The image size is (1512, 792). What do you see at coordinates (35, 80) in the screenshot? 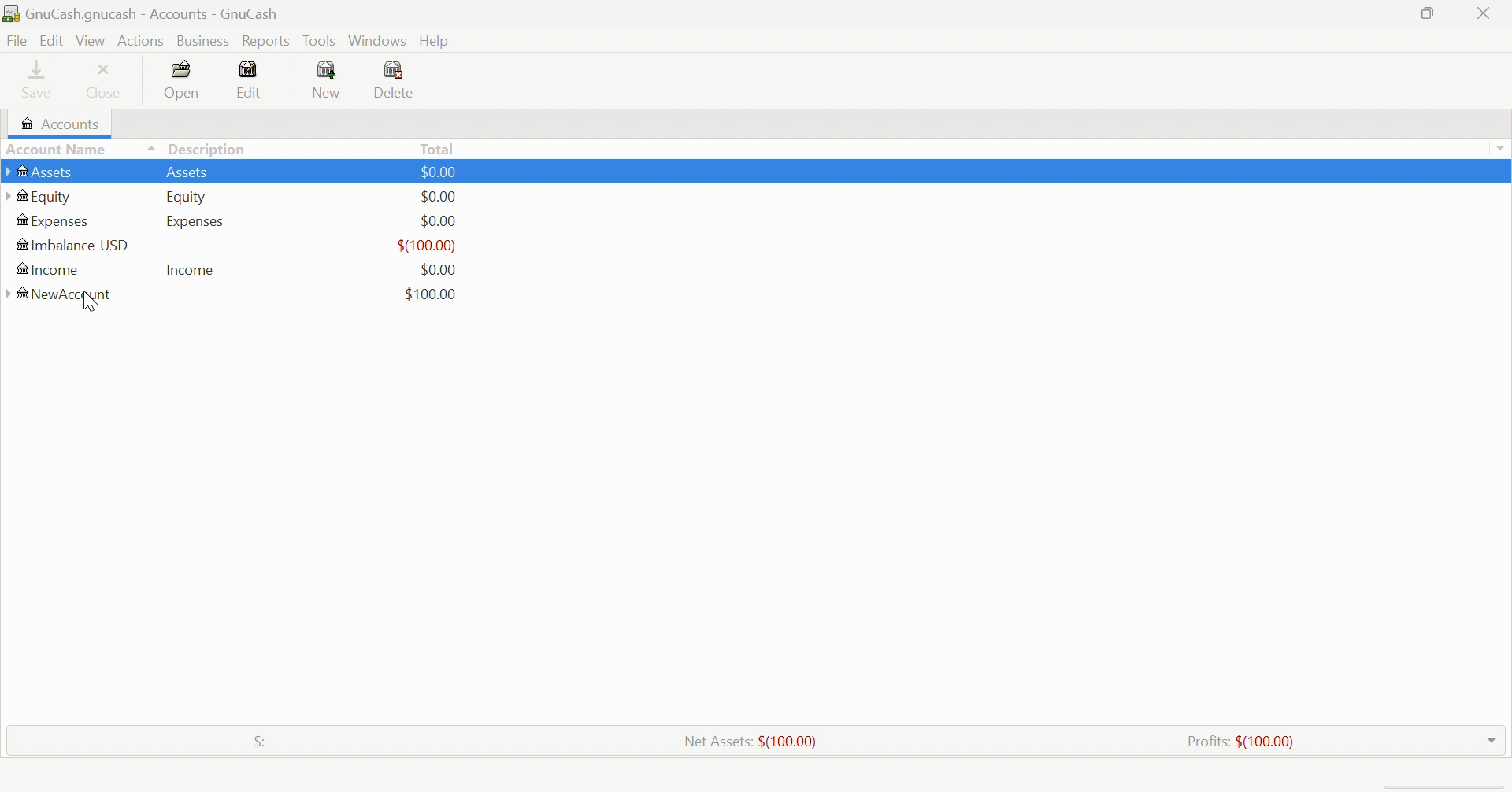
I see `Save` at bounding box center [35, 80].